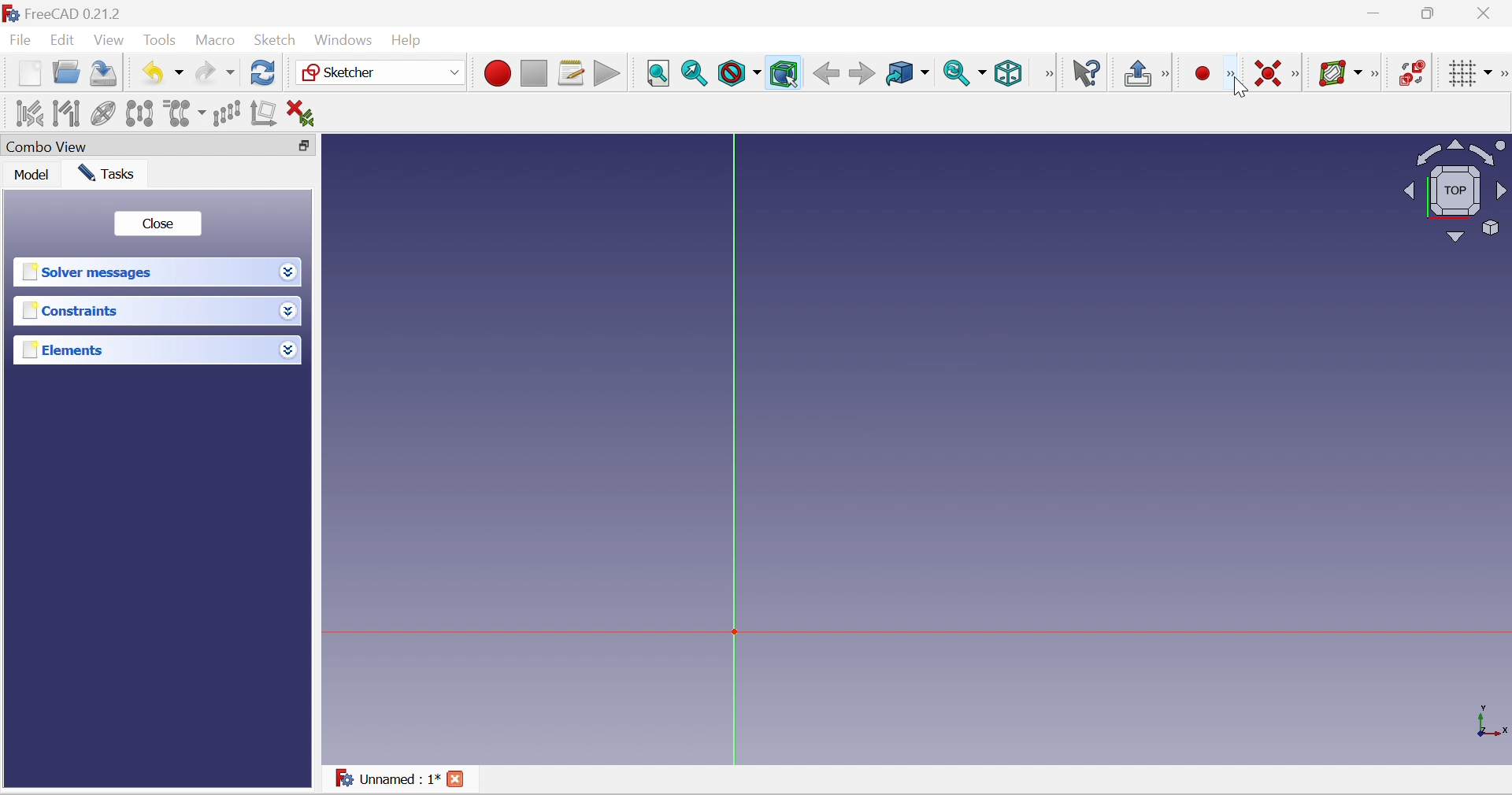 The image size is (1512, 795). I want to click on Switch virtual space, so click(1413, 75).